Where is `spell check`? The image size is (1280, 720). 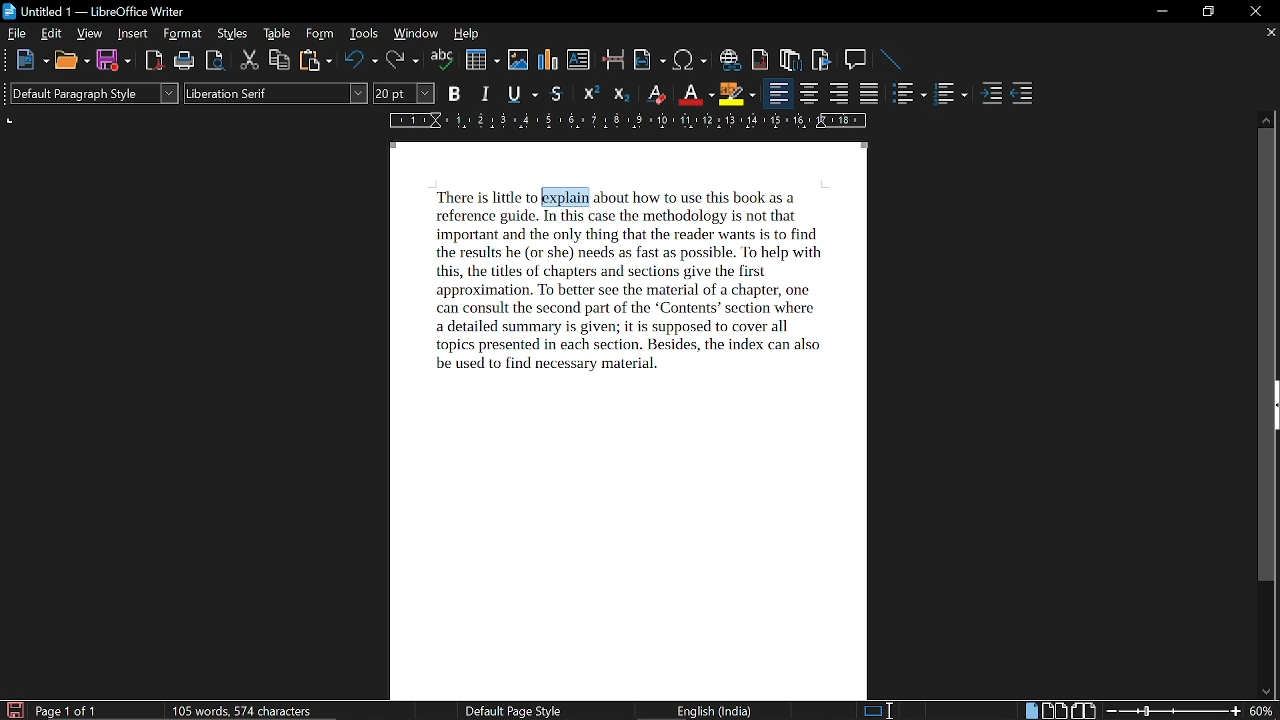
spell check is located at coordinates (442, 61).